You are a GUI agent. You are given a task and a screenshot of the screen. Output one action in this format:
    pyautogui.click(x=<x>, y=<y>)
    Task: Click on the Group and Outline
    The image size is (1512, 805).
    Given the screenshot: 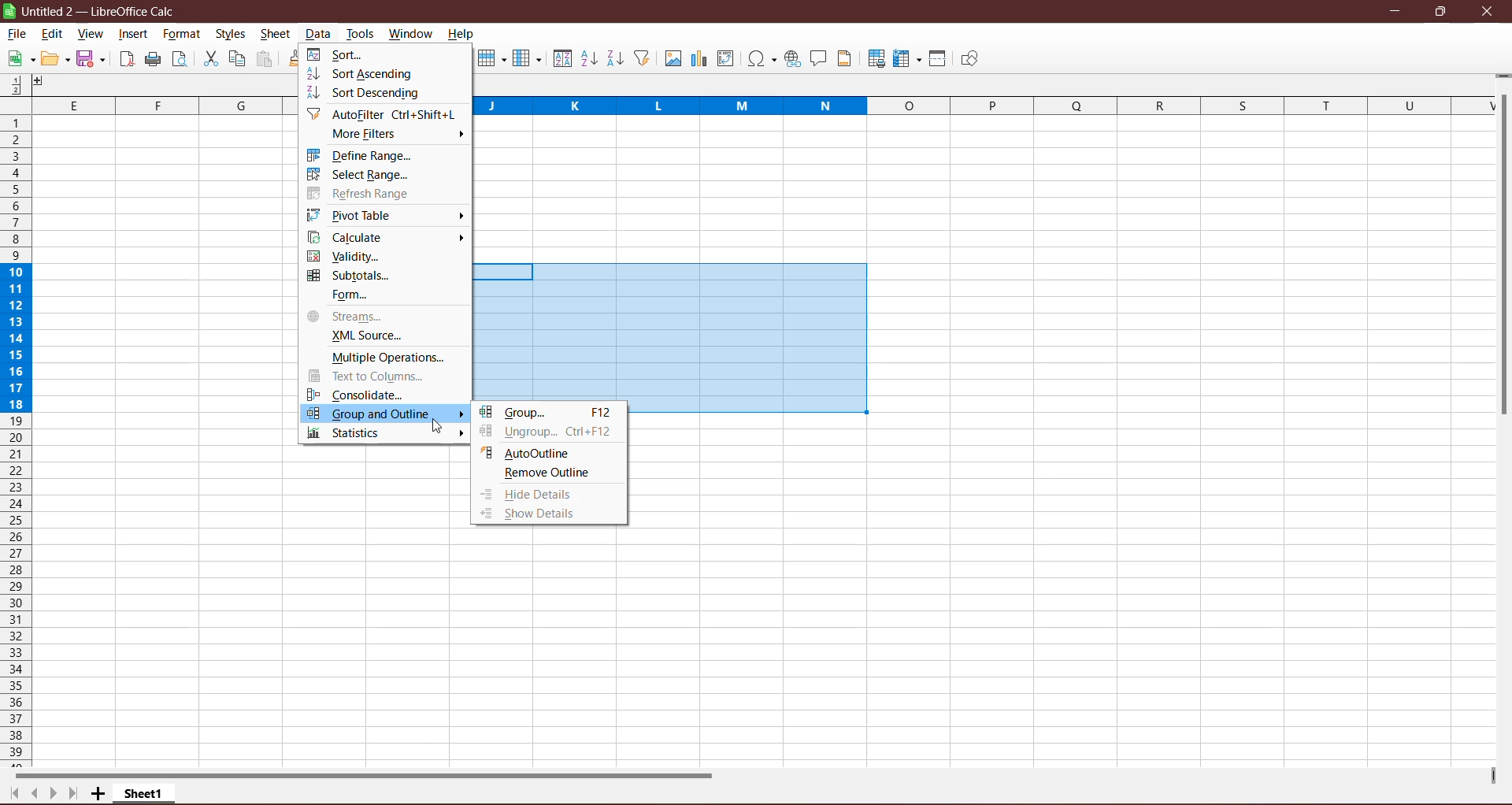 What is the action you would take?
    pyautogui.click(x=386, y=414)
    